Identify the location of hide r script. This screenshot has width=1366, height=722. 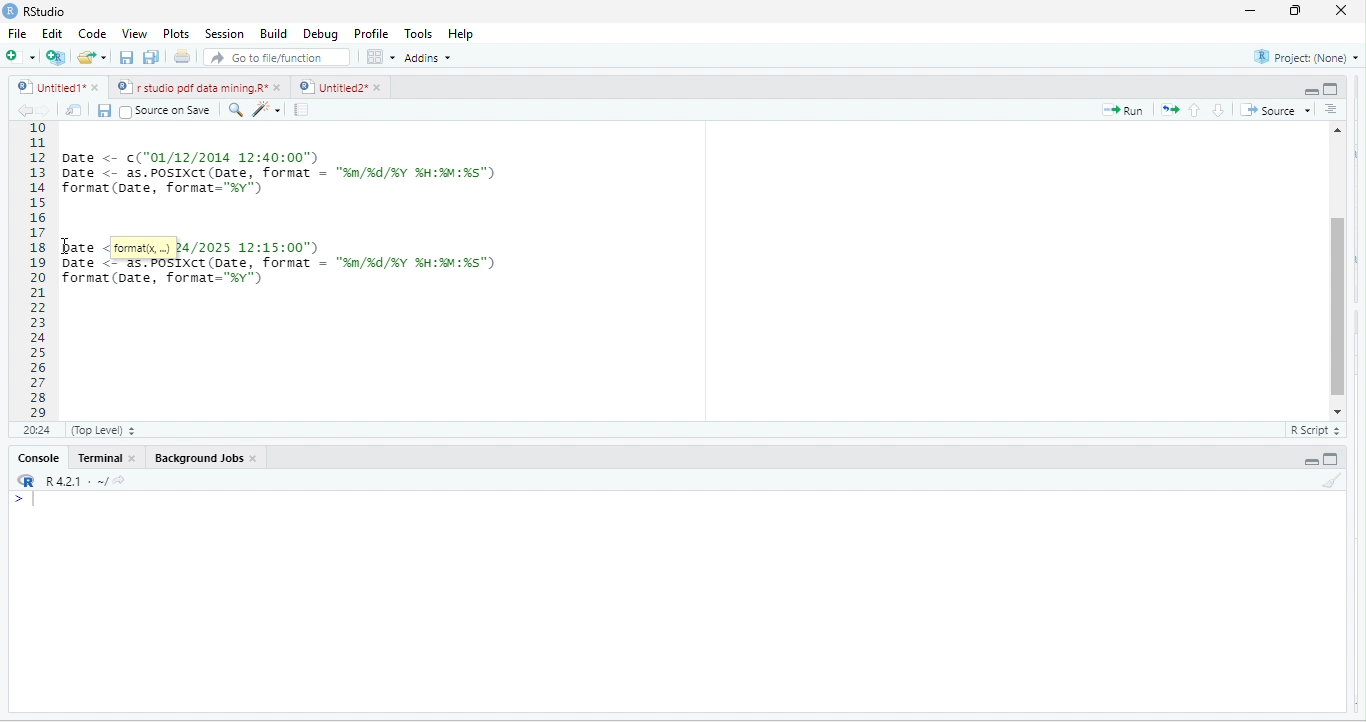
(1308, 86).